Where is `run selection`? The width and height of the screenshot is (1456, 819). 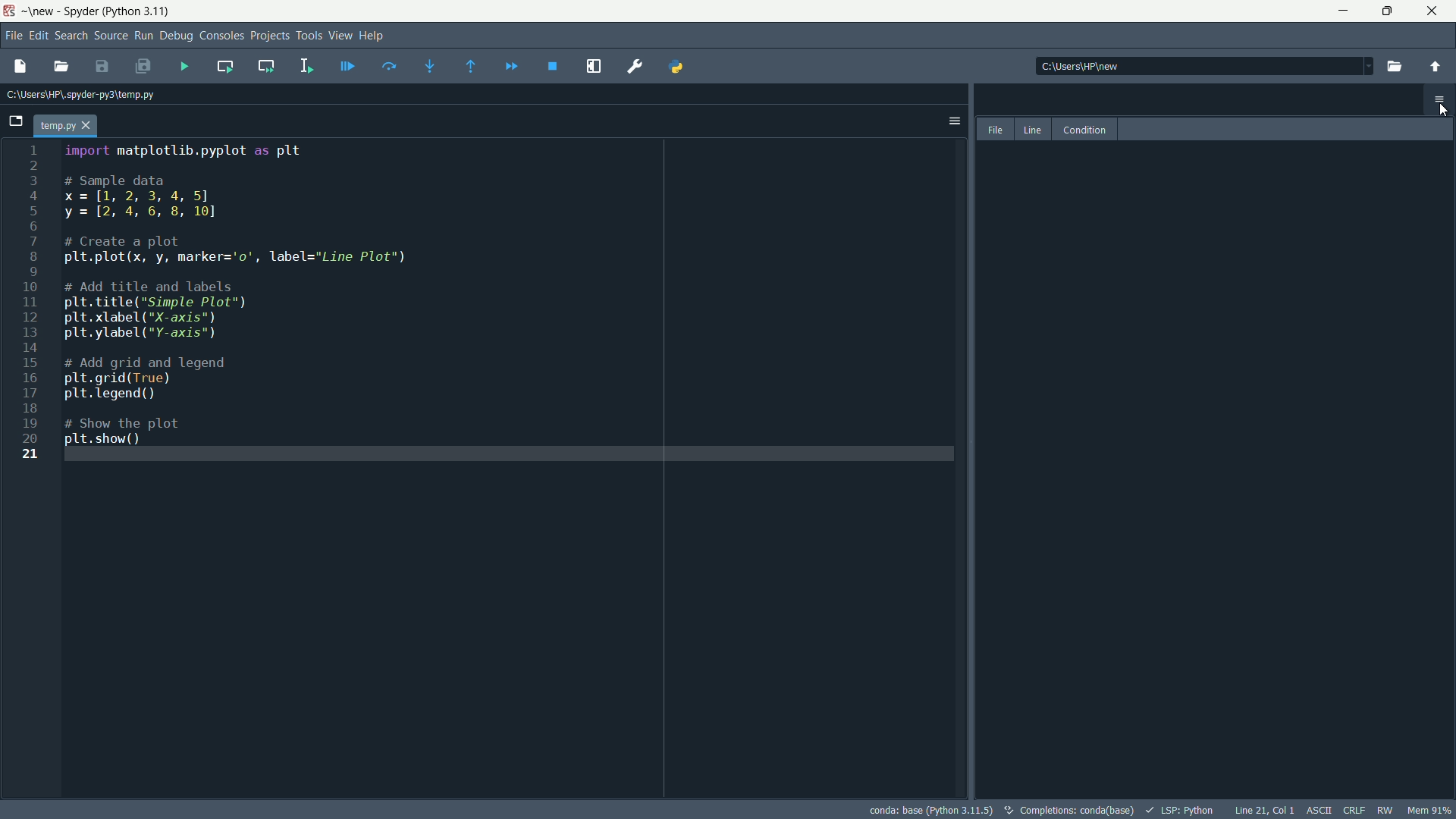
run selection is located at coordinates (305, 65).